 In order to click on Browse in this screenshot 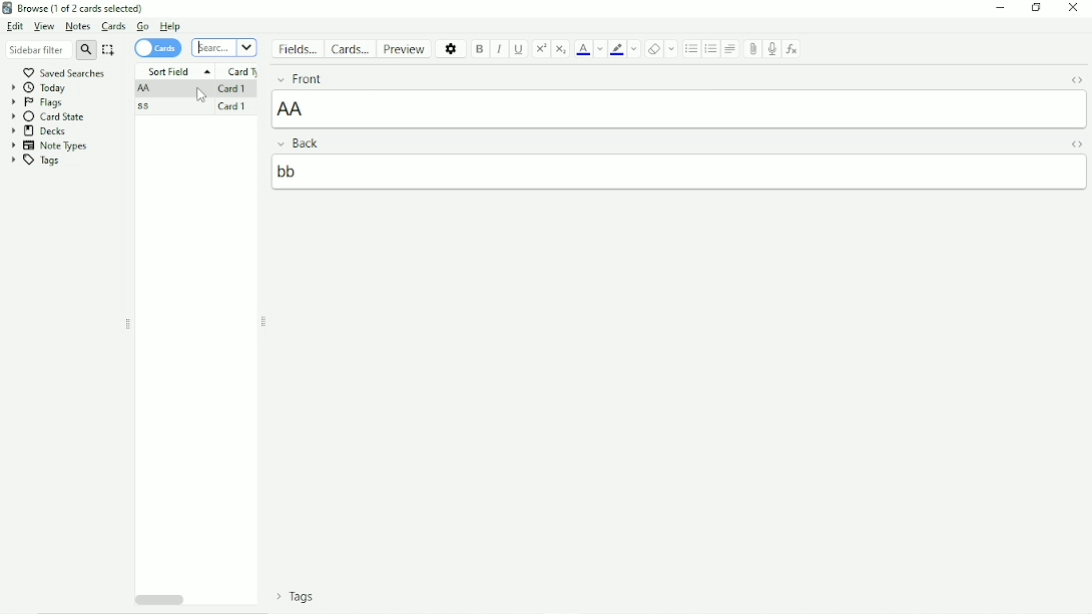, I will do `click(77, 9)`.